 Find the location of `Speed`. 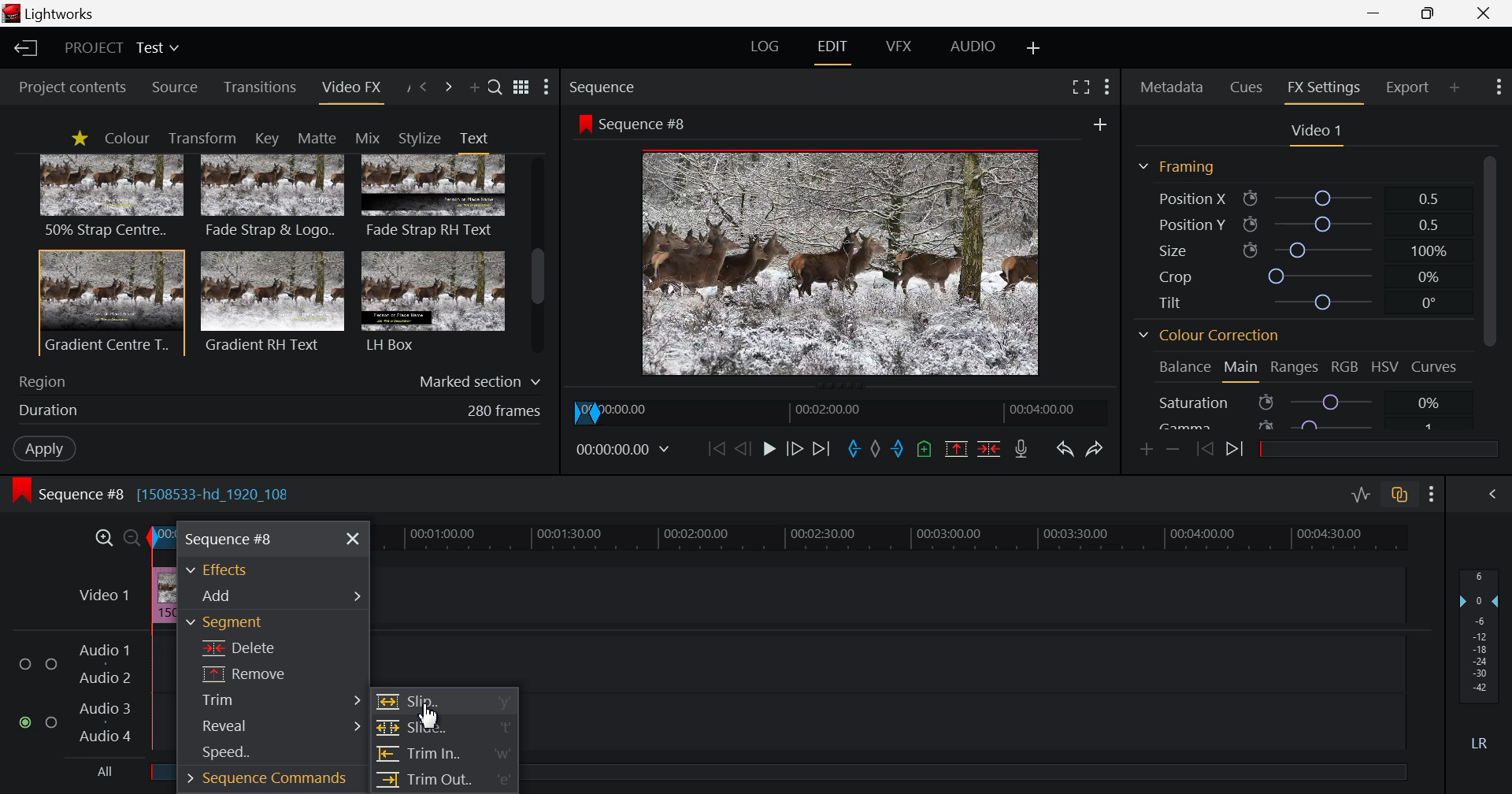

Speed is located at coordinates (258, 756).